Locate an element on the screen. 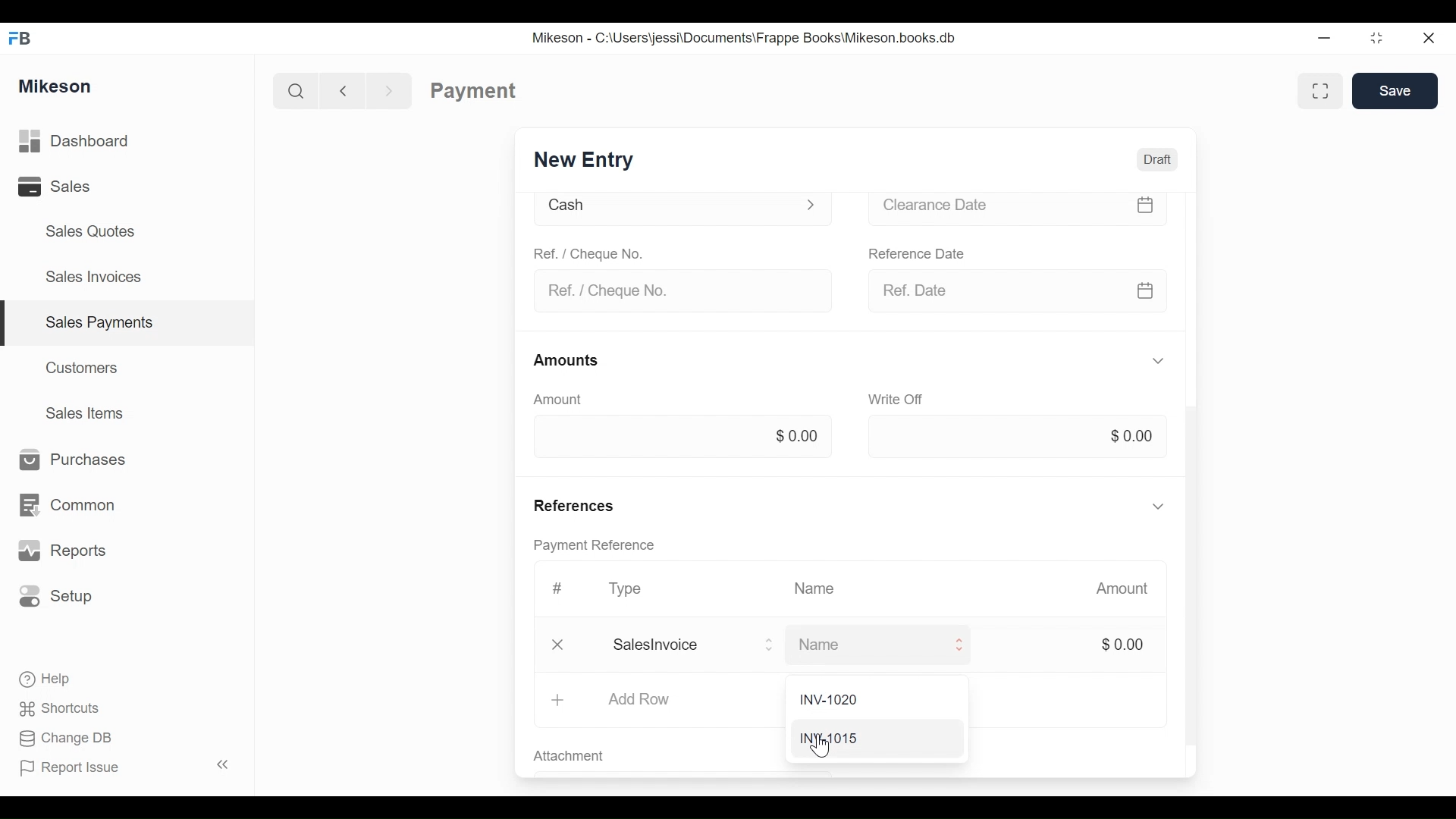 The image size is (1456, 819). Maximize is located at coordinates (1374, 40).